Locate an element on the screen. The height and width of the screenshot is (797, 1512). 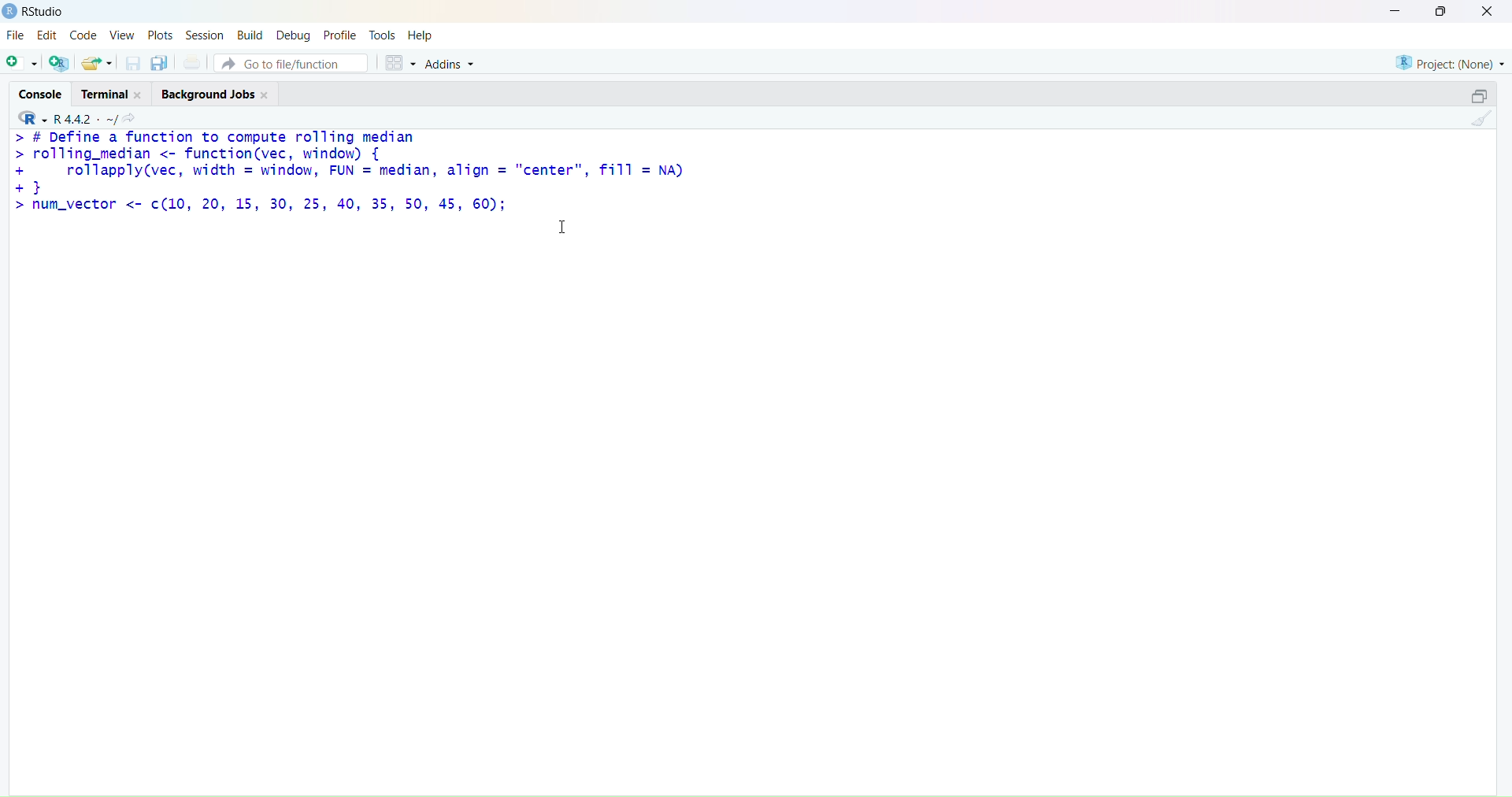
addins is located at coordinates (449, 65).